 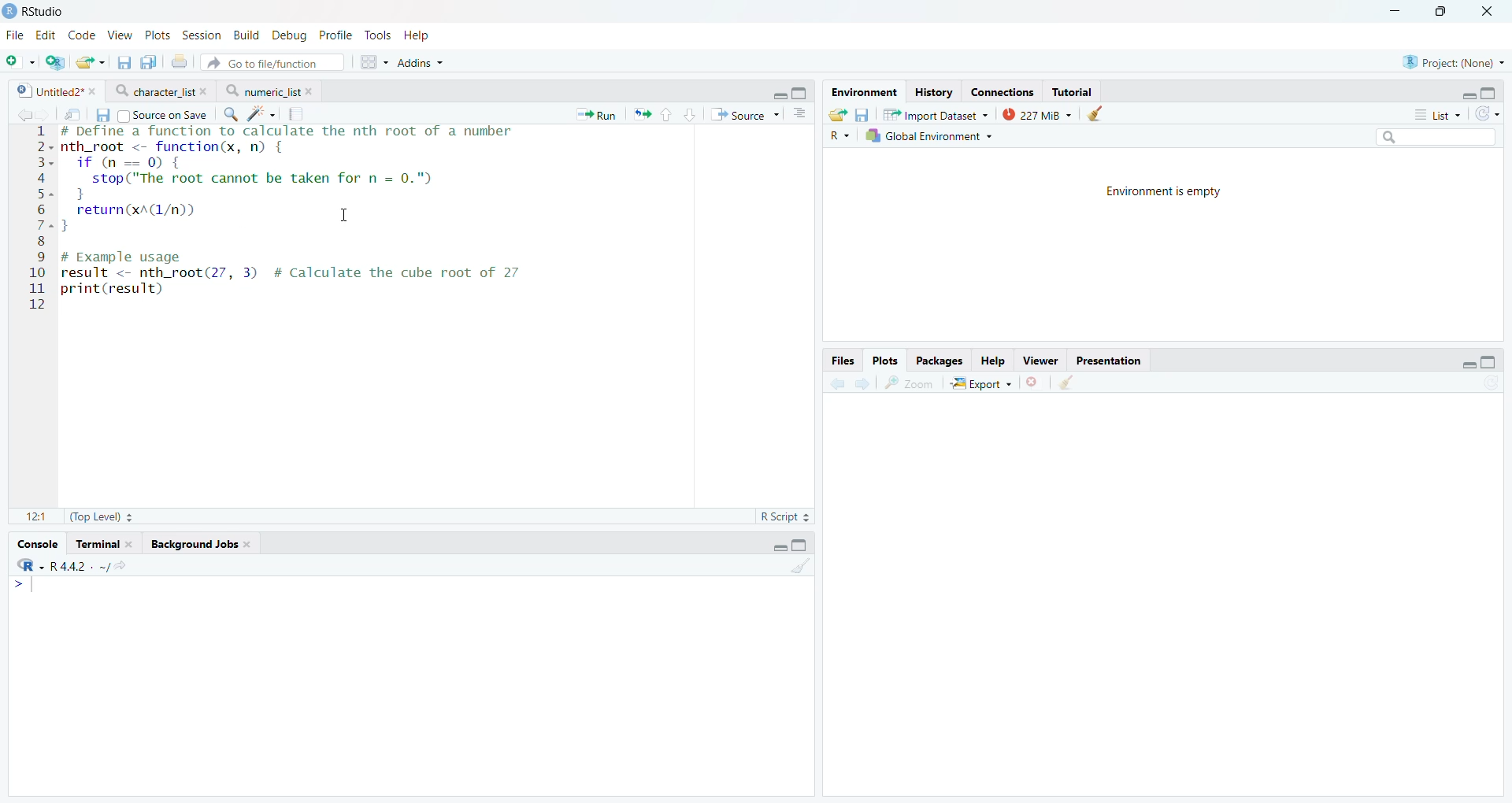 What do you see at coordinates (802, 92) in the screenshot?
I see `Full Height` at bounding box center [802, 92].